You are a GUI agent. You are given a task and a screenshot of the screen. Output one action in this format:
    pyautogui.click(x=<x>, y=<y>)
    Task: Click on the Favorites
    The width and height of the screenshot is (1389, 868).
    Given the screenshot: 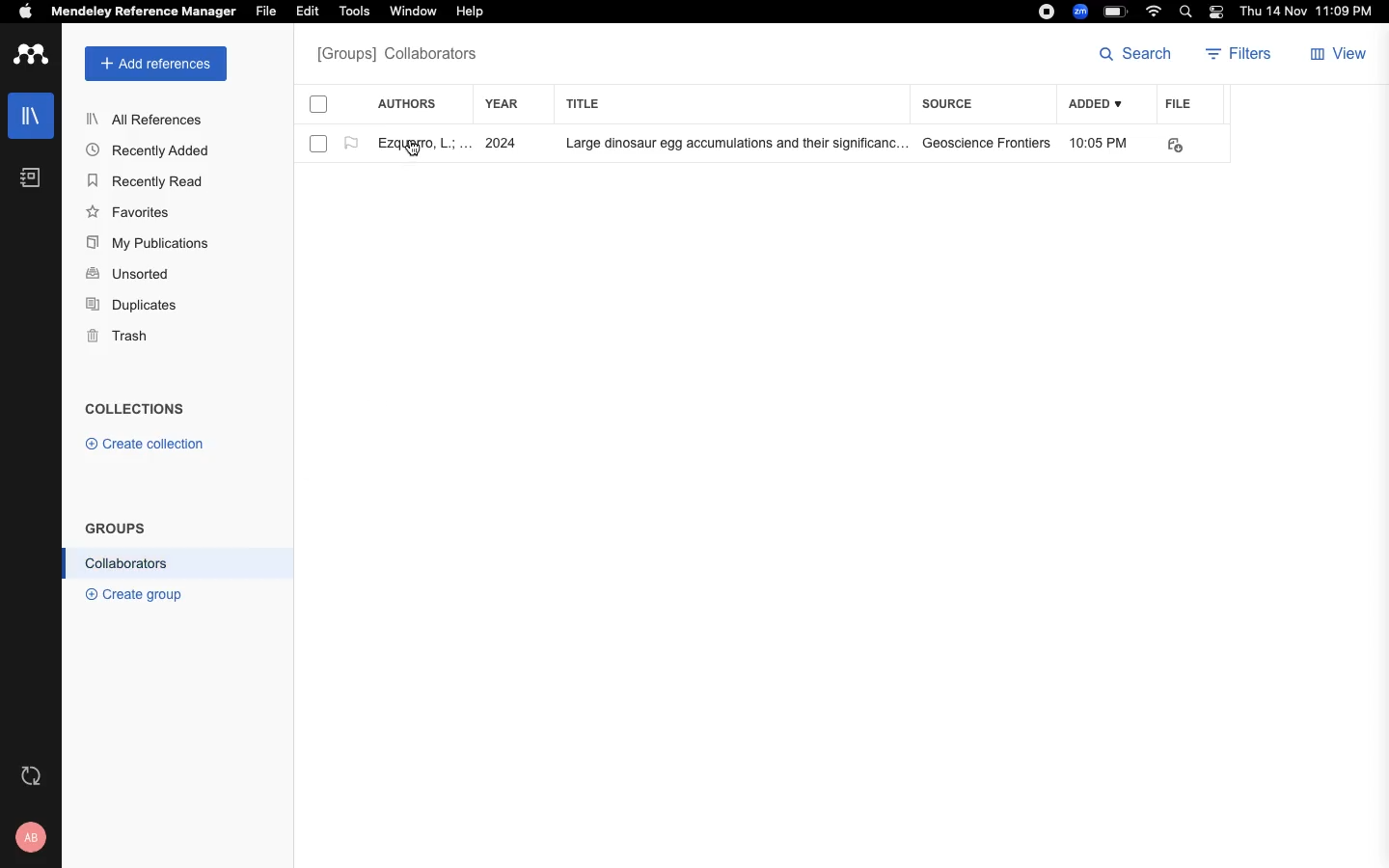 What is the action you would take?
    pyautogui.click(x=132, y=211)
    